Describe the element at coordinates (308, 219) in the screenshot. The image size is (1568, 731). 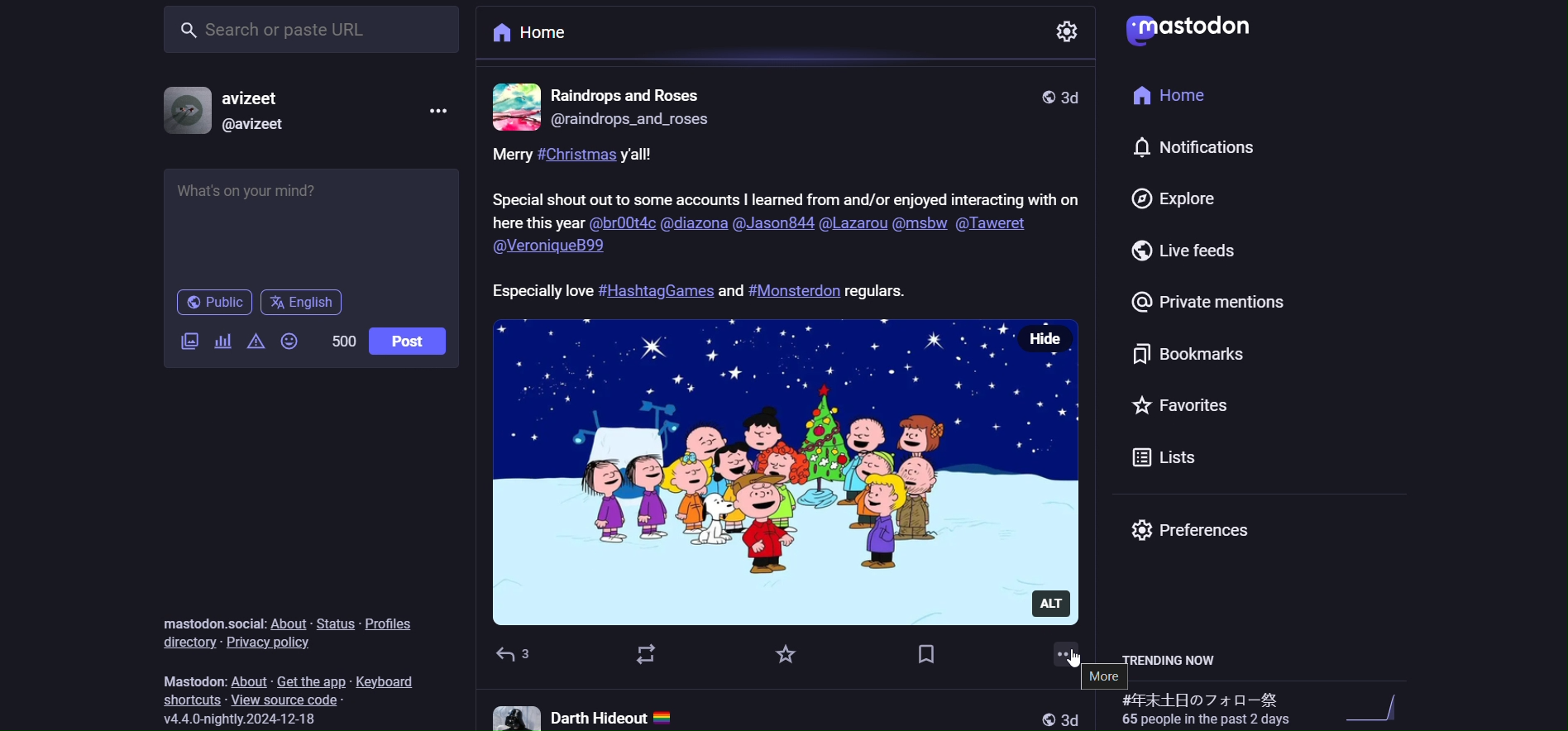
I see `post here` at that location.